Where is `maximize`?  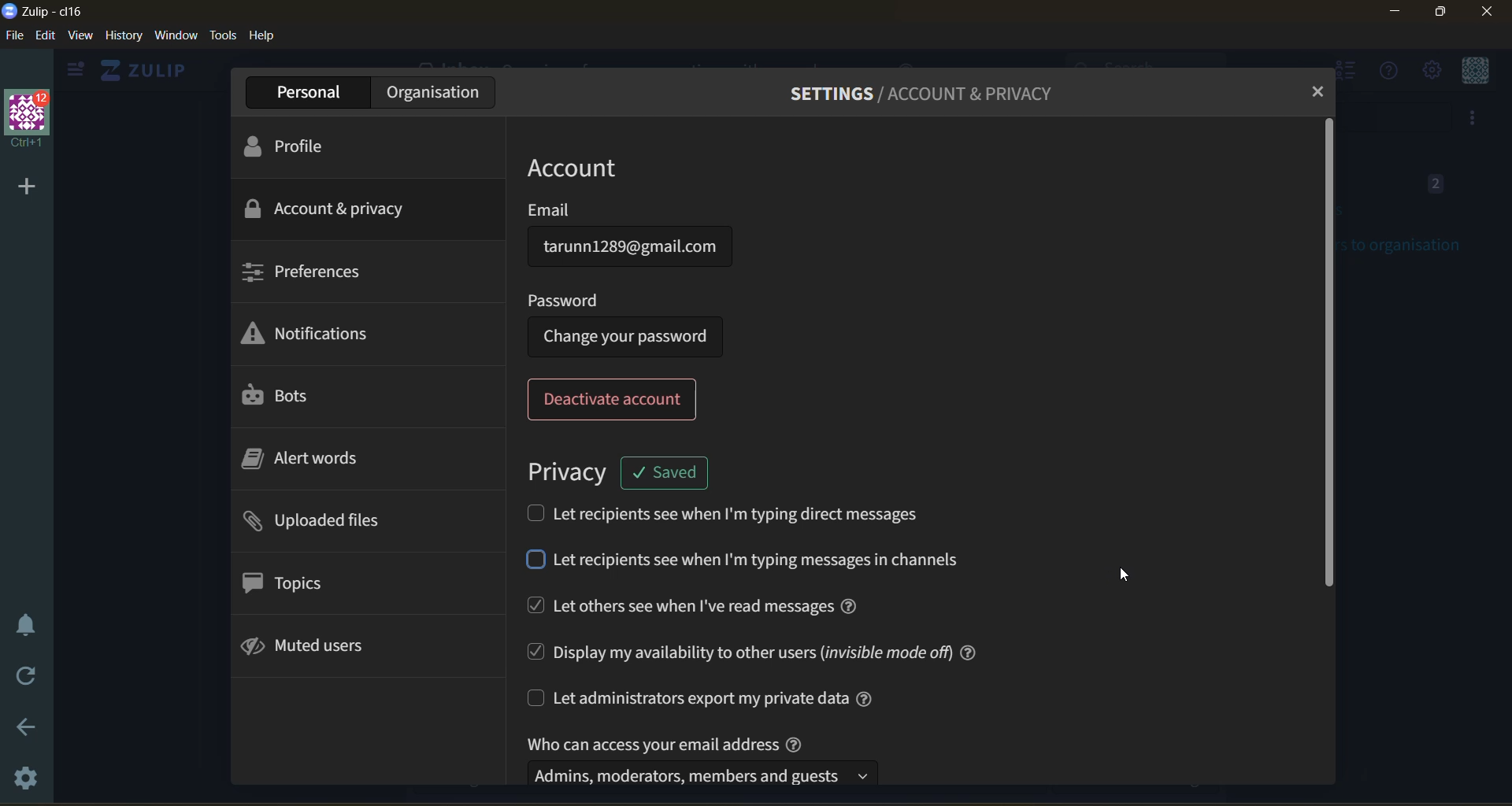 maximize is located at coordinates (1437, 14).